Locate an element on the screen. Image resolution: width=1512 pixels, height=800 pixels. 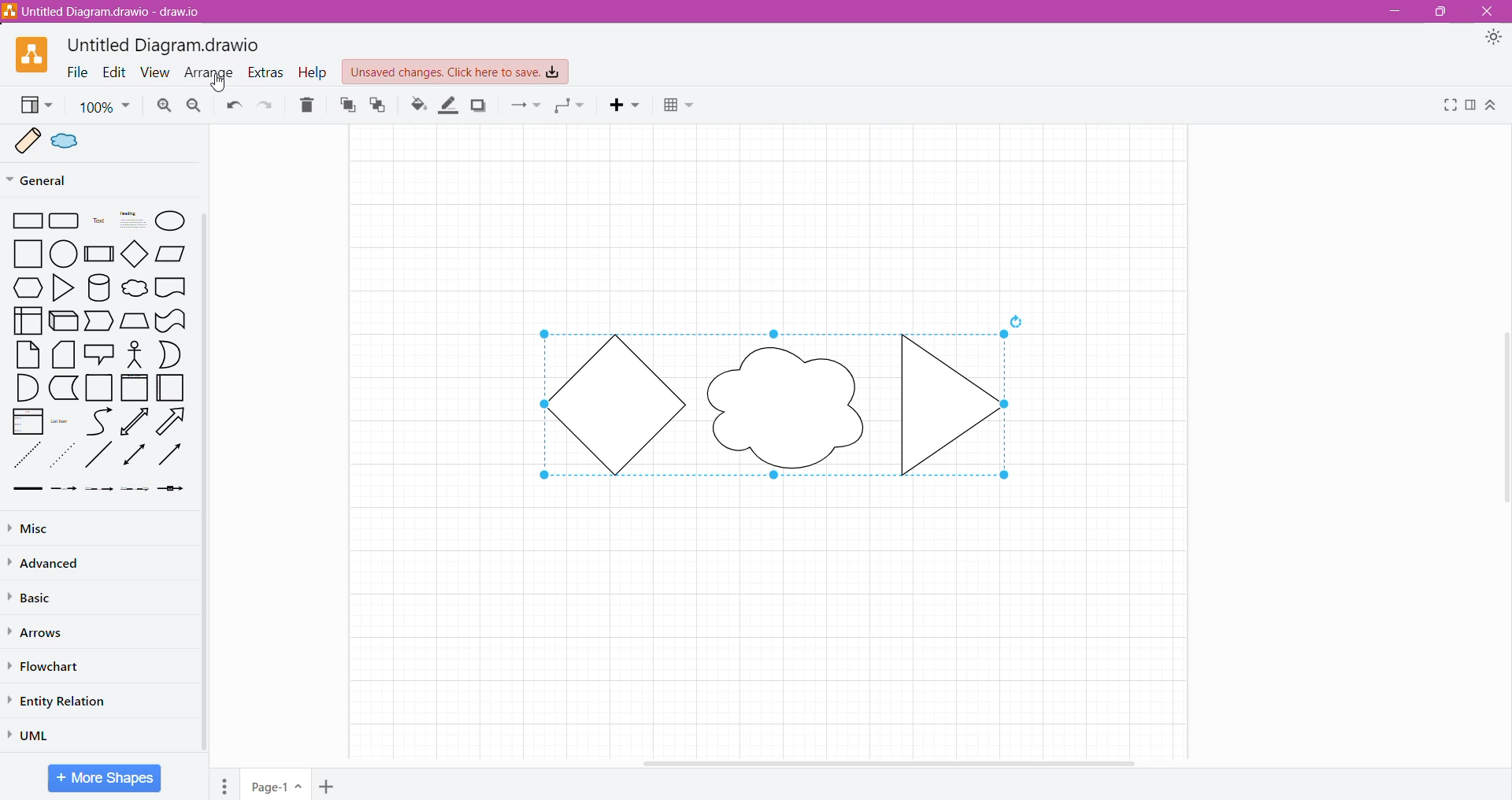
Undo is located at coordinates (233, 107).